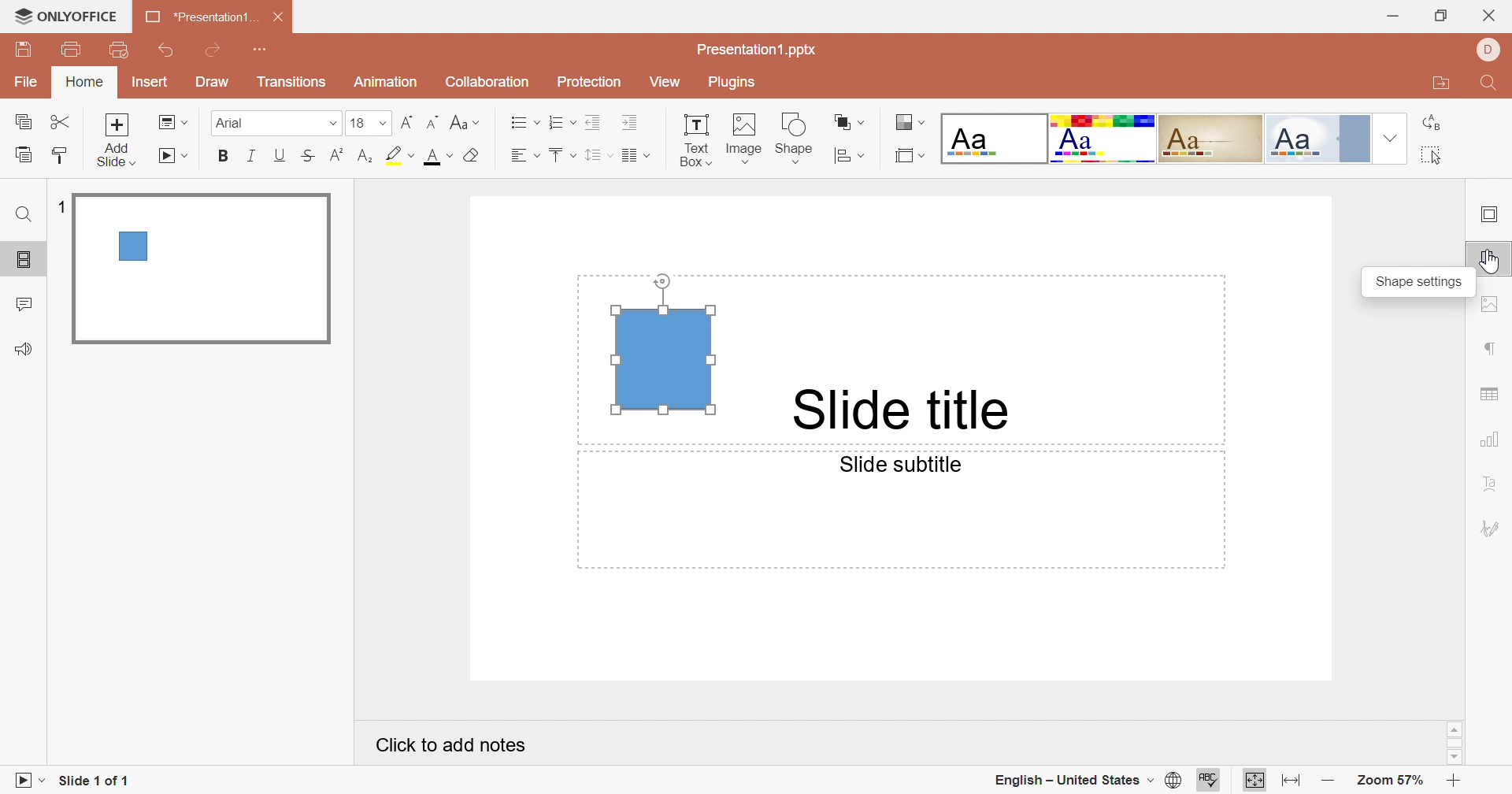 Image resolution: width=1512 pixels, height=794 pixels. Describe the element at coordinates (909, 158) in the screenshot. I see `Select slide size` at that location.